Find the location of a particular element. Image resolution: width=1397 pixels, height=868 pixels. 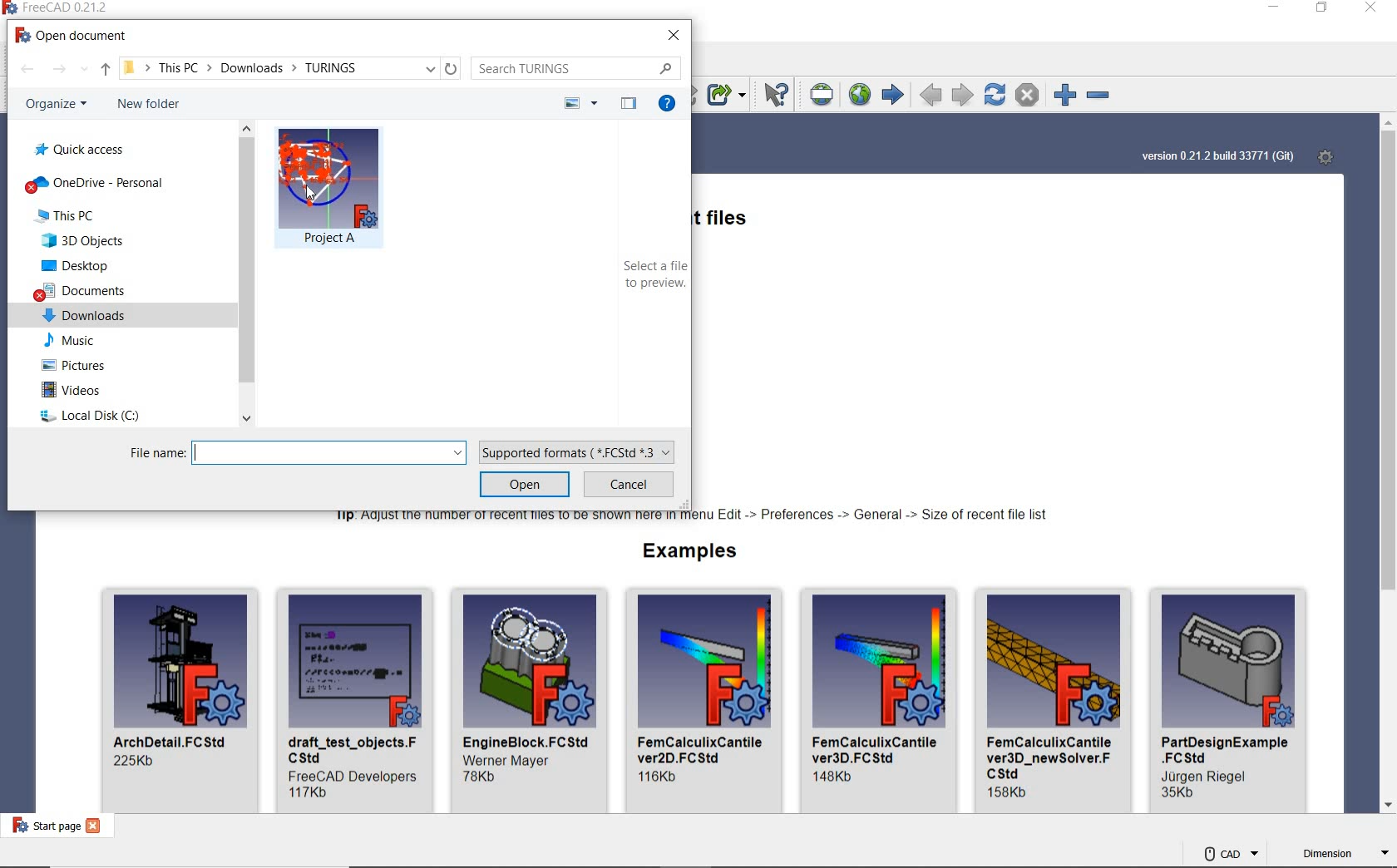

image is located at coordinates (356, 660).